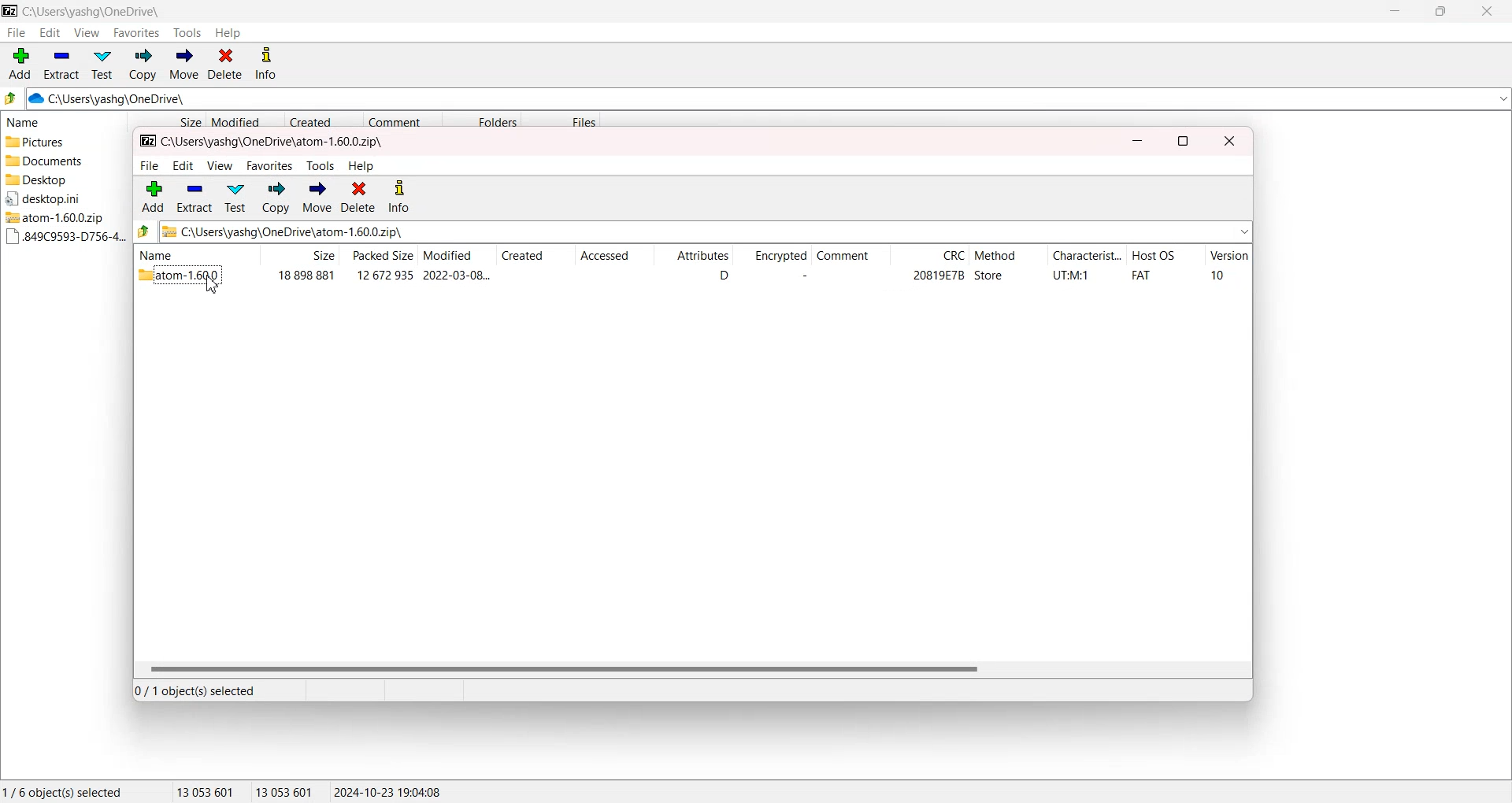 This screenshot has width=1512, height=803. I want to click on Attributes, so click(693, 257).